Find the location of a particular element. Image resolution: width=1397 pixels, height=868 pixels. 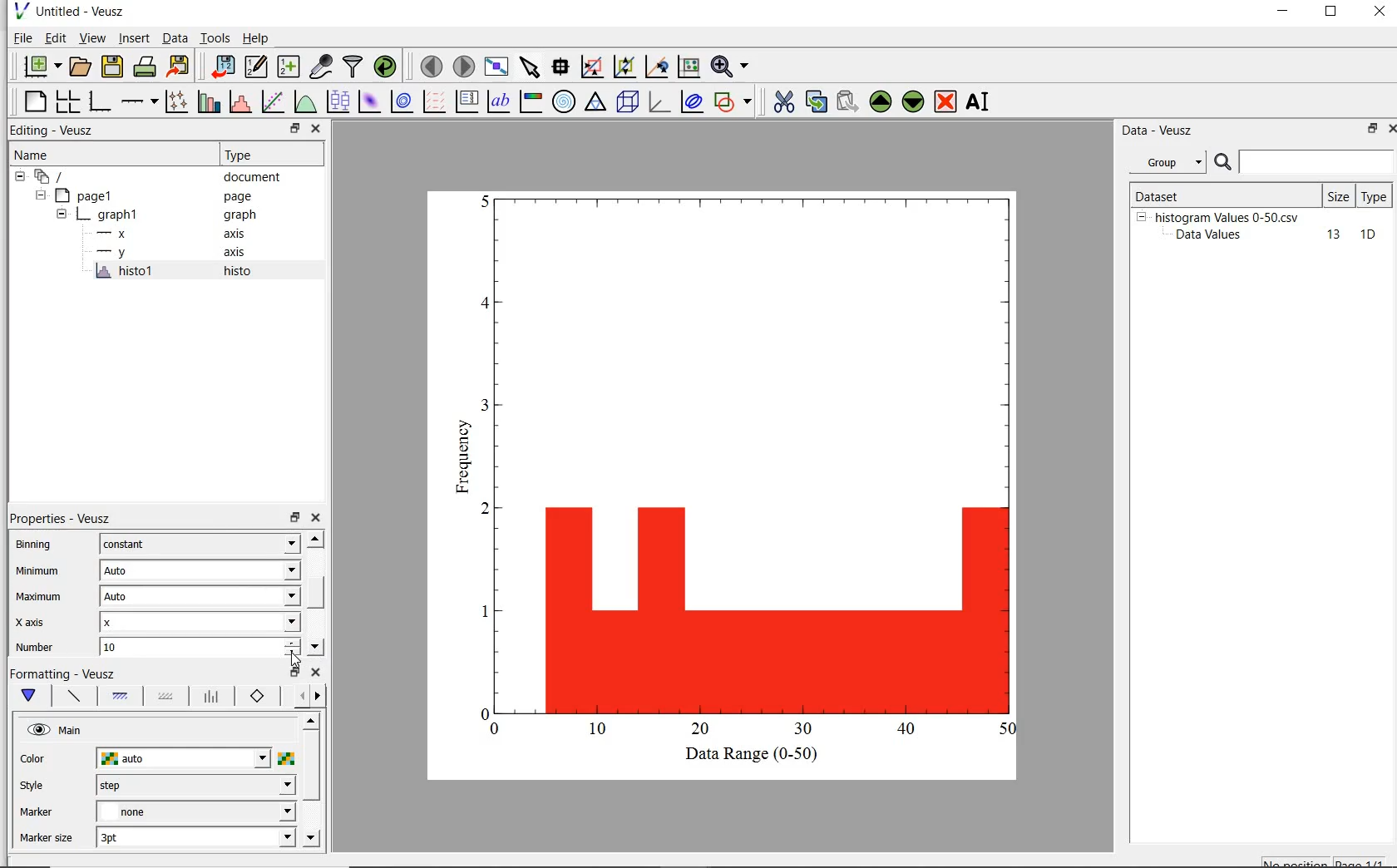

print the document is located at coordinates (146, 65).